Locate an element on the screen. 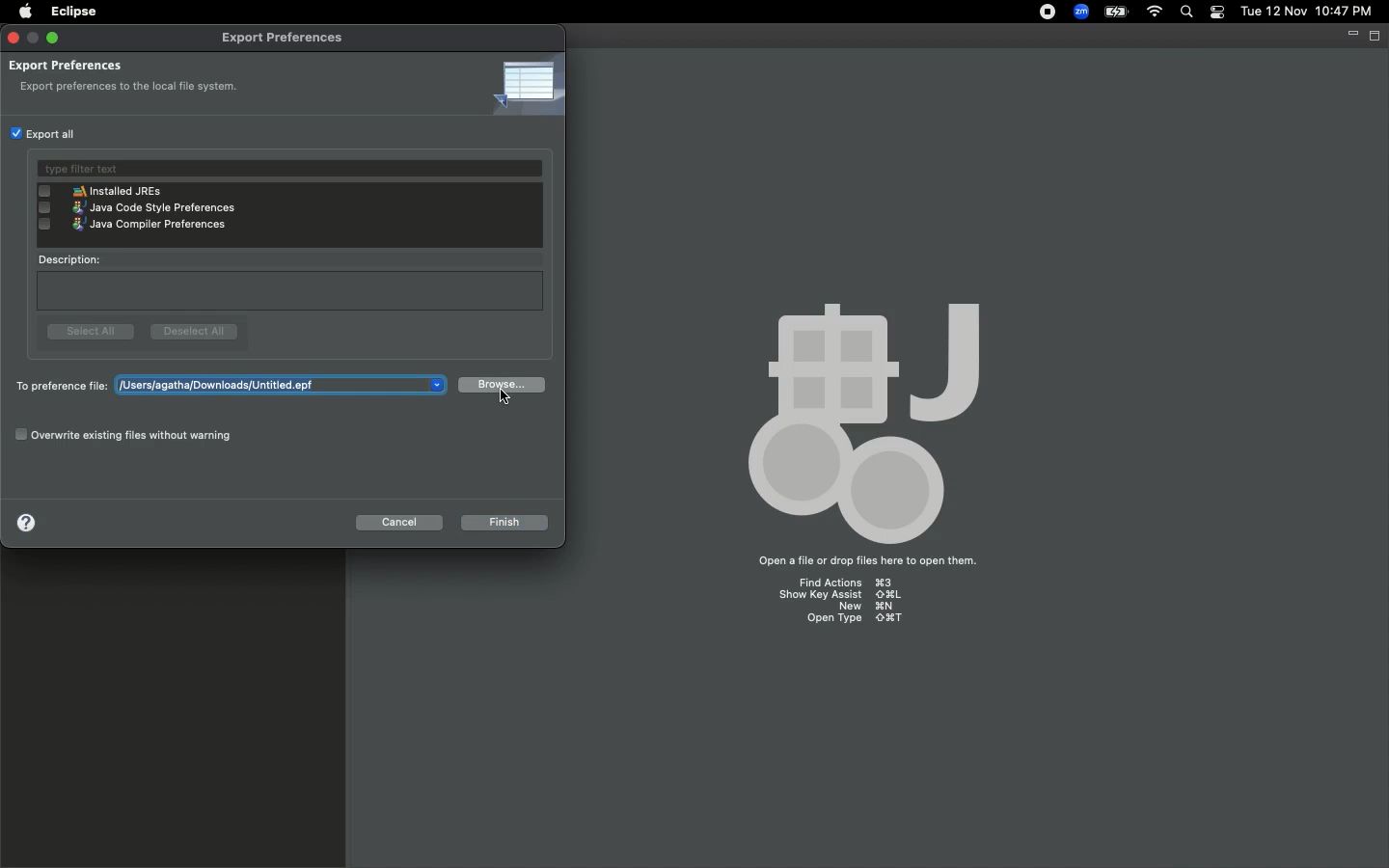 This screenshot has width=1389, height=868. Type filter text is located at coordinates (290, 169).